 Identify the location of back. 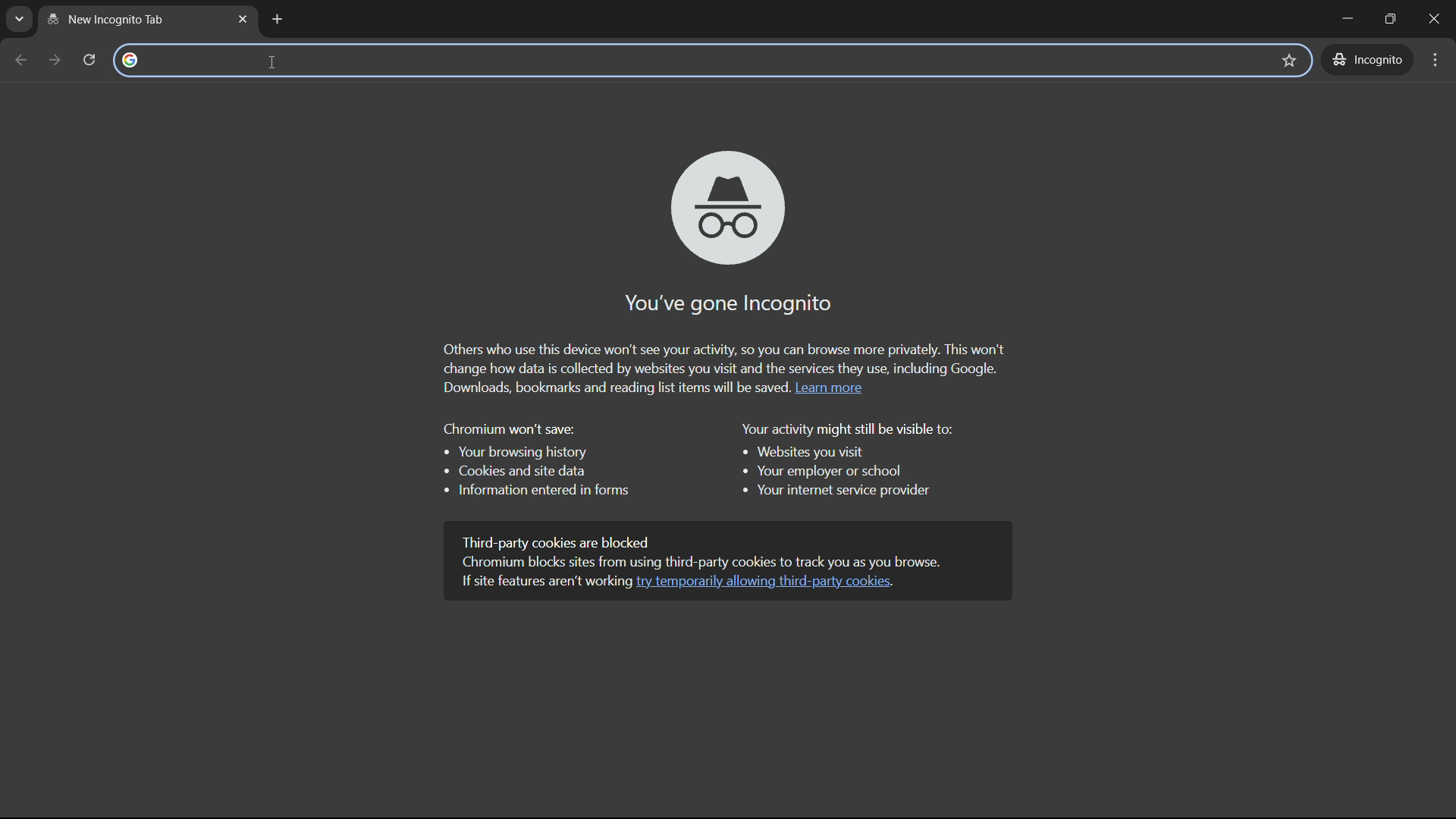
(22, 60).